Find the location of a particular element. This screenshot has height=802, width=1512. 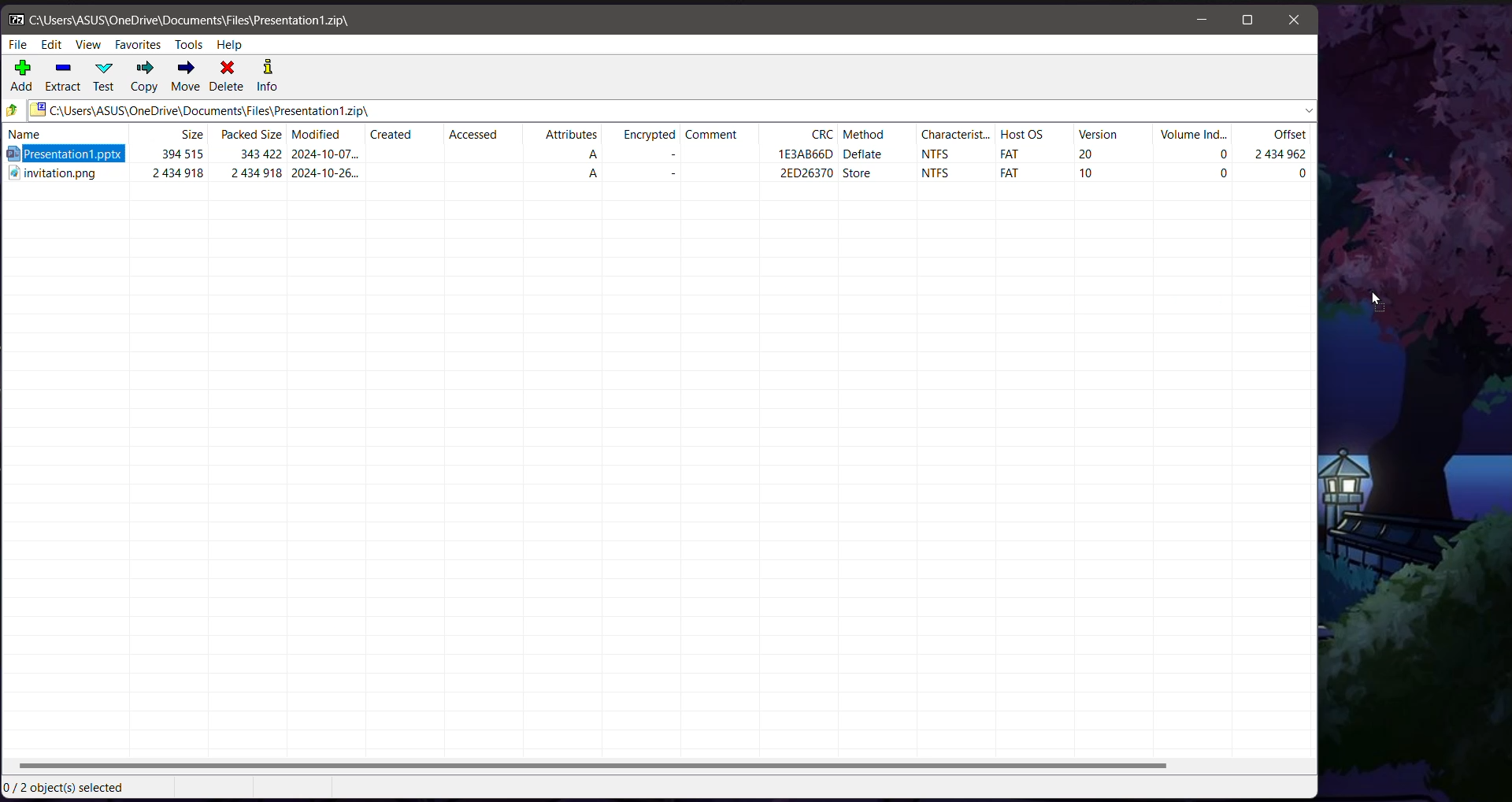

ecrypted is located at coordinates (650, 138).